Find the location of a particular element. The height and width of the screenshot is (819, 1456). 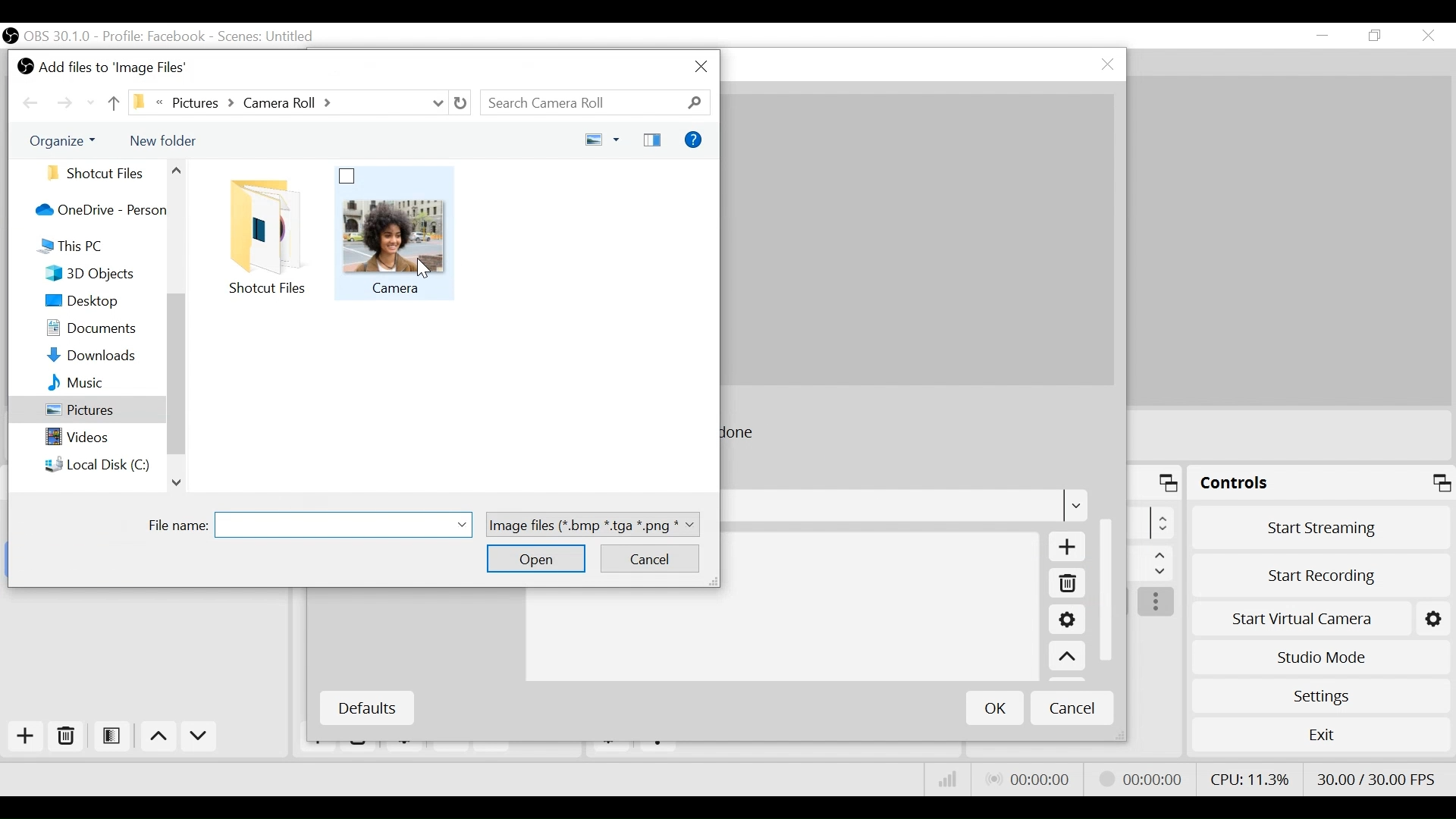

Scene is located at coordinates (268, 37).